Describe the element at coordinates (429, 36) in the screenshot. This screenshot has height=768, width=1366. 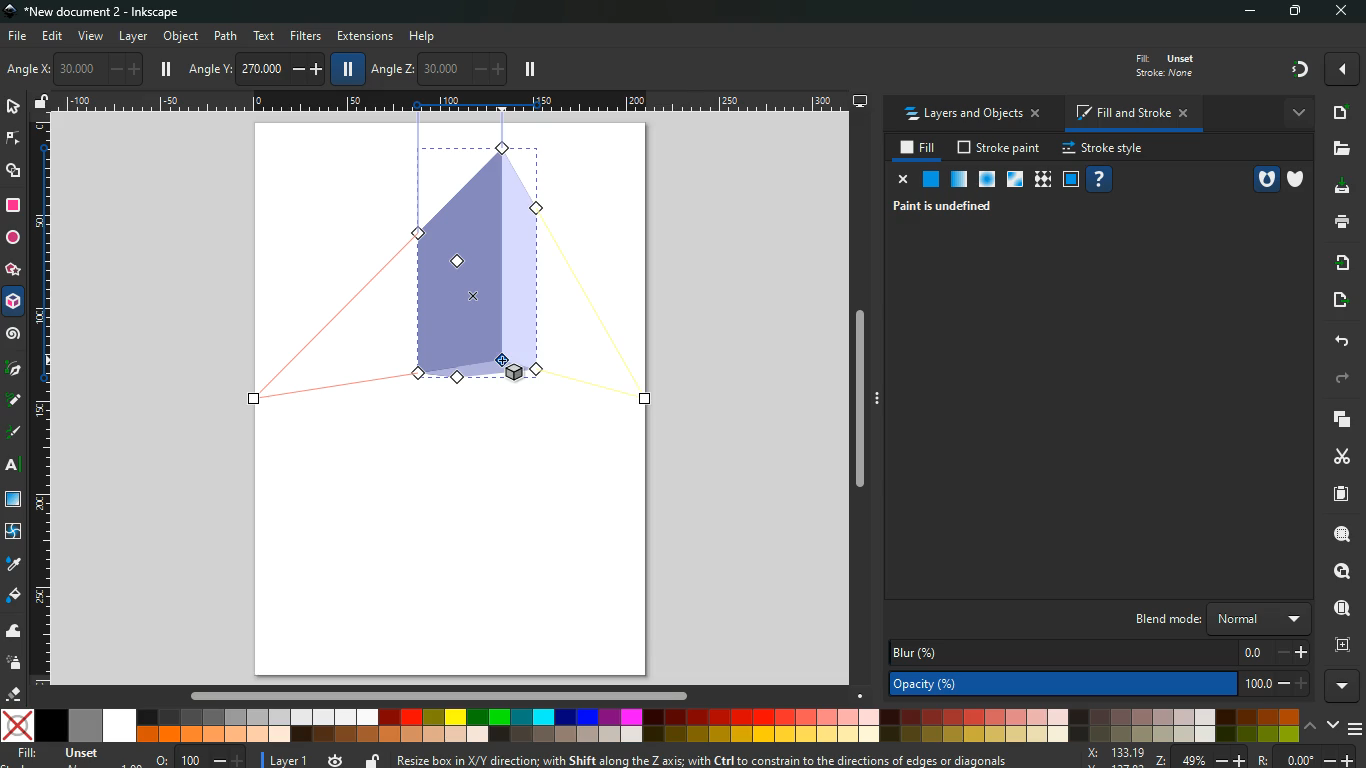
I see `help` at that location.